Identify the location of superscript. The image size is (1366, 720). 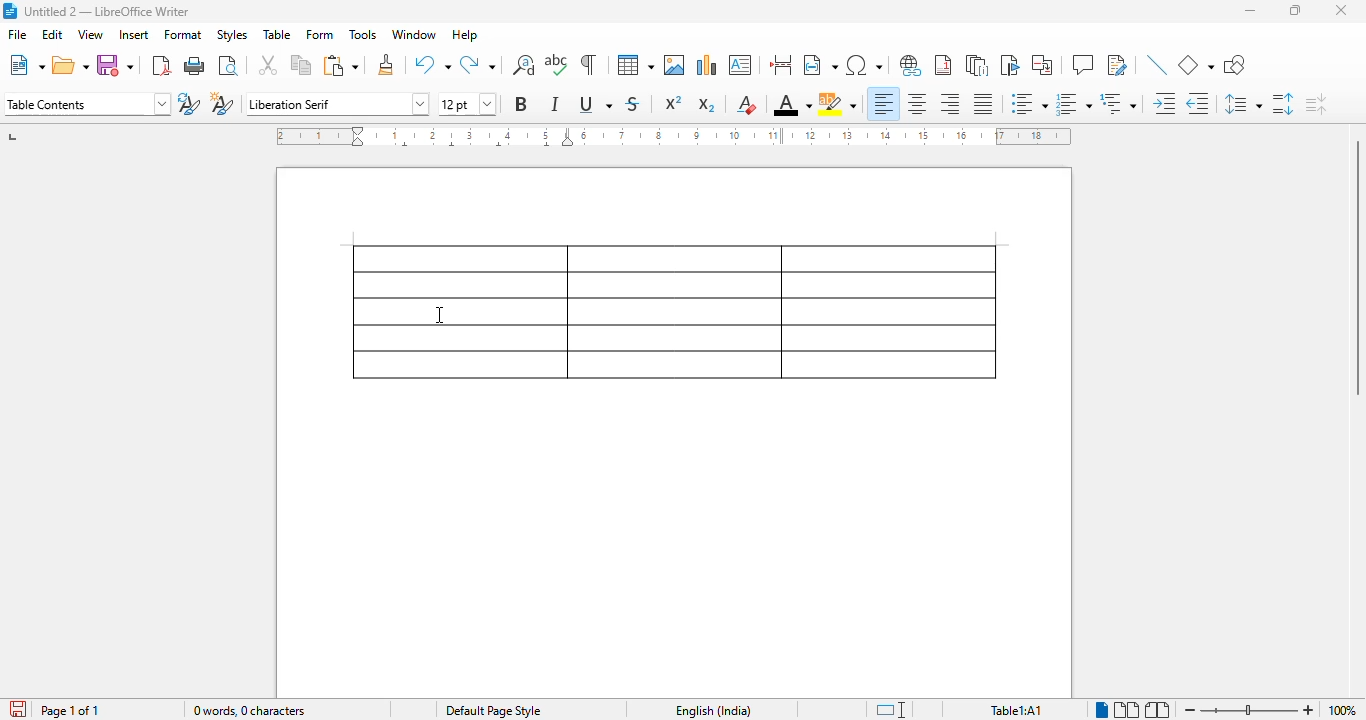
(674, 102).